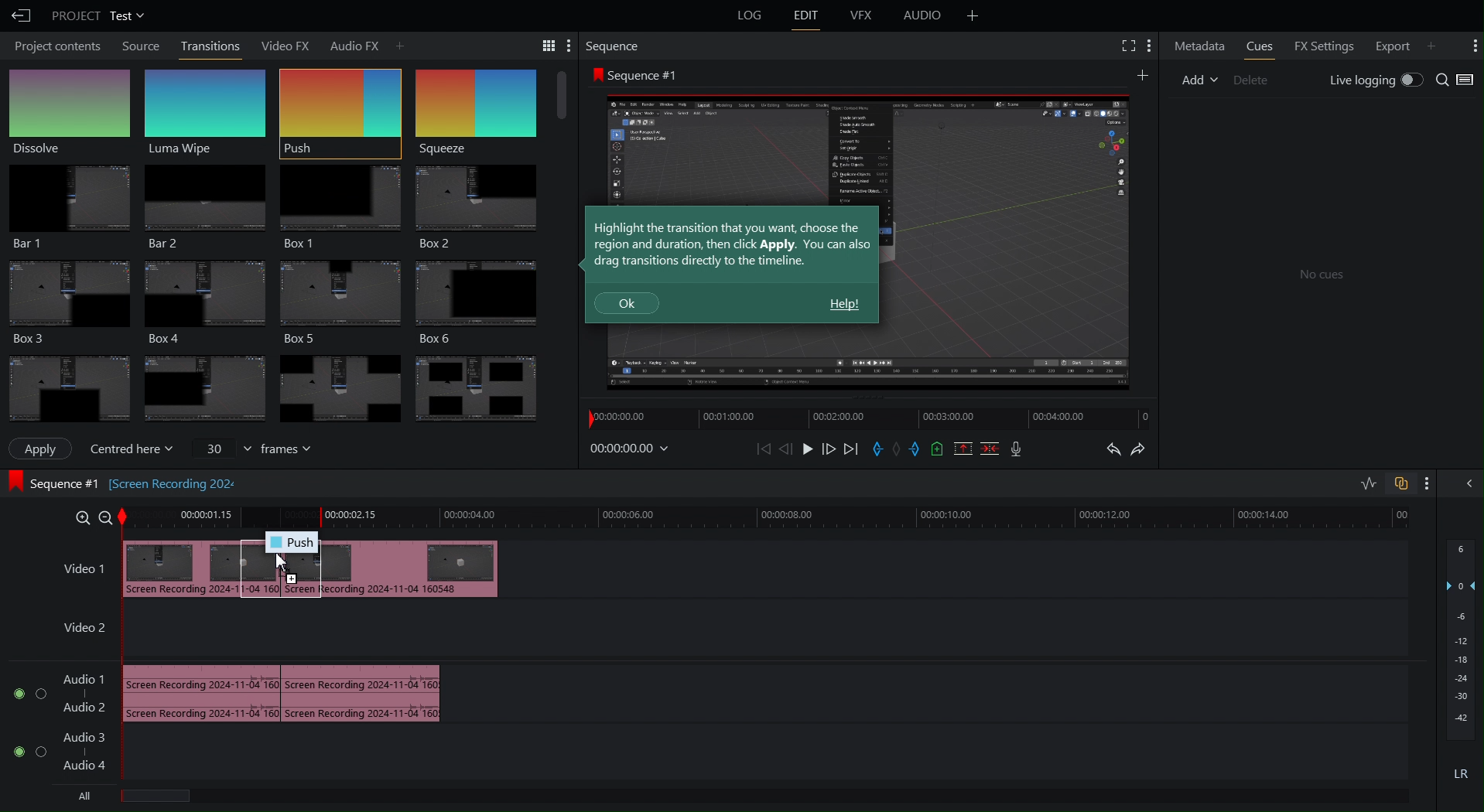  What do you see at coordinates (990, 448) in the screenshot?
I see `Delete/Cut` at bounding box center [990, 448].